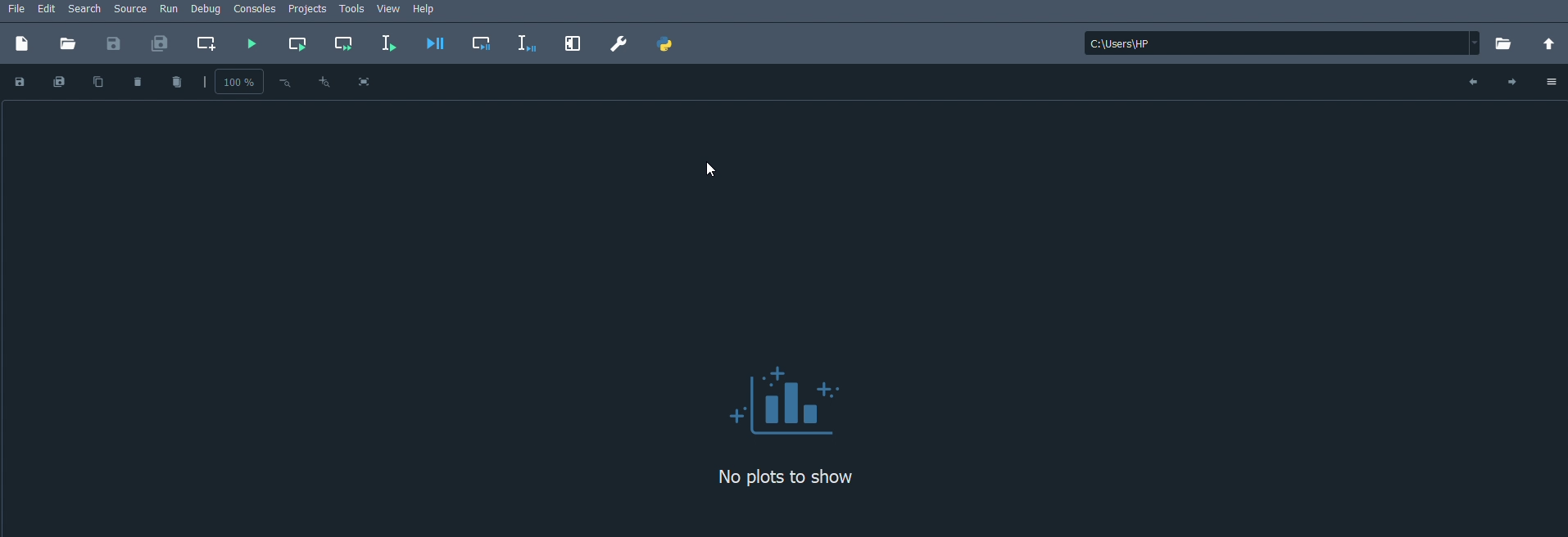 The image size is (1568, 537). Describe the element at coordinates (139, 81) in the screenshot. I see `delete` at that location.